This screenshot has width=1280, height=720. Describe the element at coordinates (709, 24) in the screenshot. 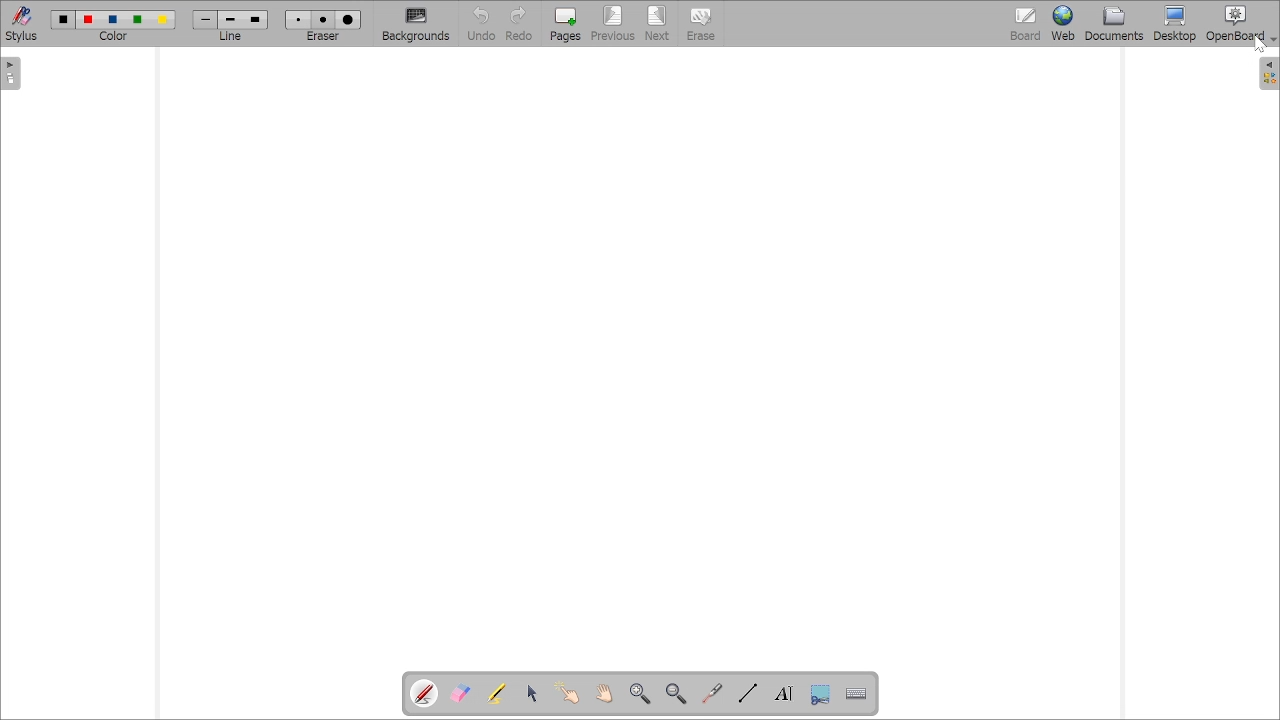

I see `Erase` at that location.